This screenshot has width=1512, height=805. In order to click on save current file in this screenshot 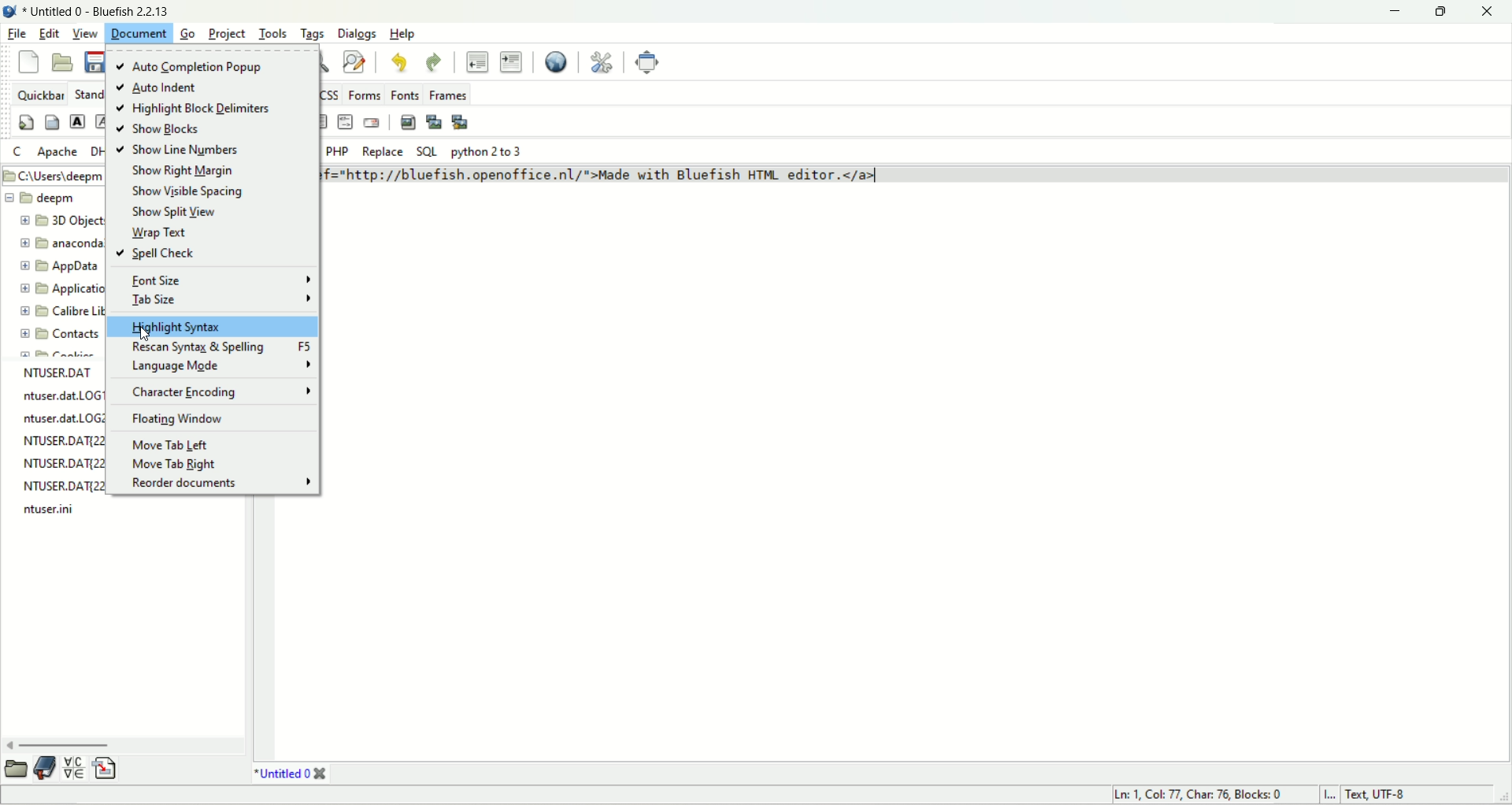, I will do `click(95, 63)`.